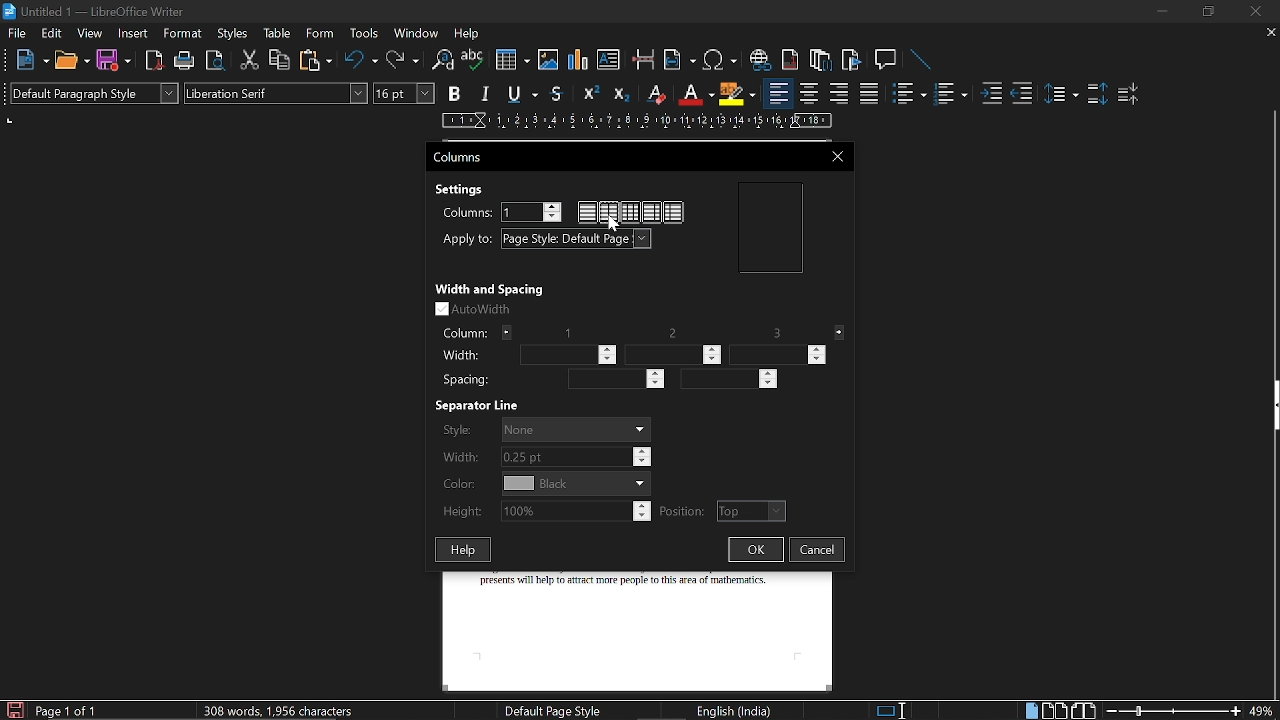  What do you see at coordinates (738, 94) in the screenshot?
I see `Highlights` at bounding box center [738, 94].